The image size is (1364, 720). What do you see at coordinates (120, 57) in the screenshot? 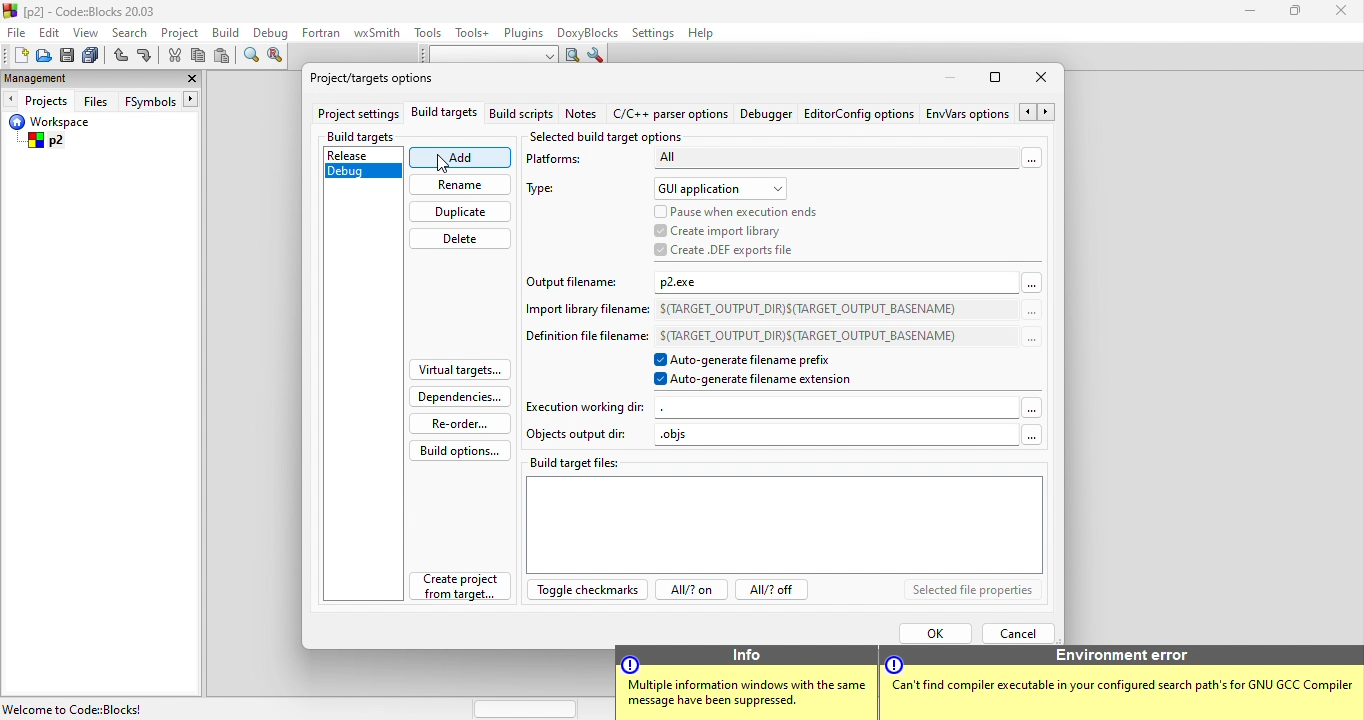
I see `undo` at bounding box center [120, 57].